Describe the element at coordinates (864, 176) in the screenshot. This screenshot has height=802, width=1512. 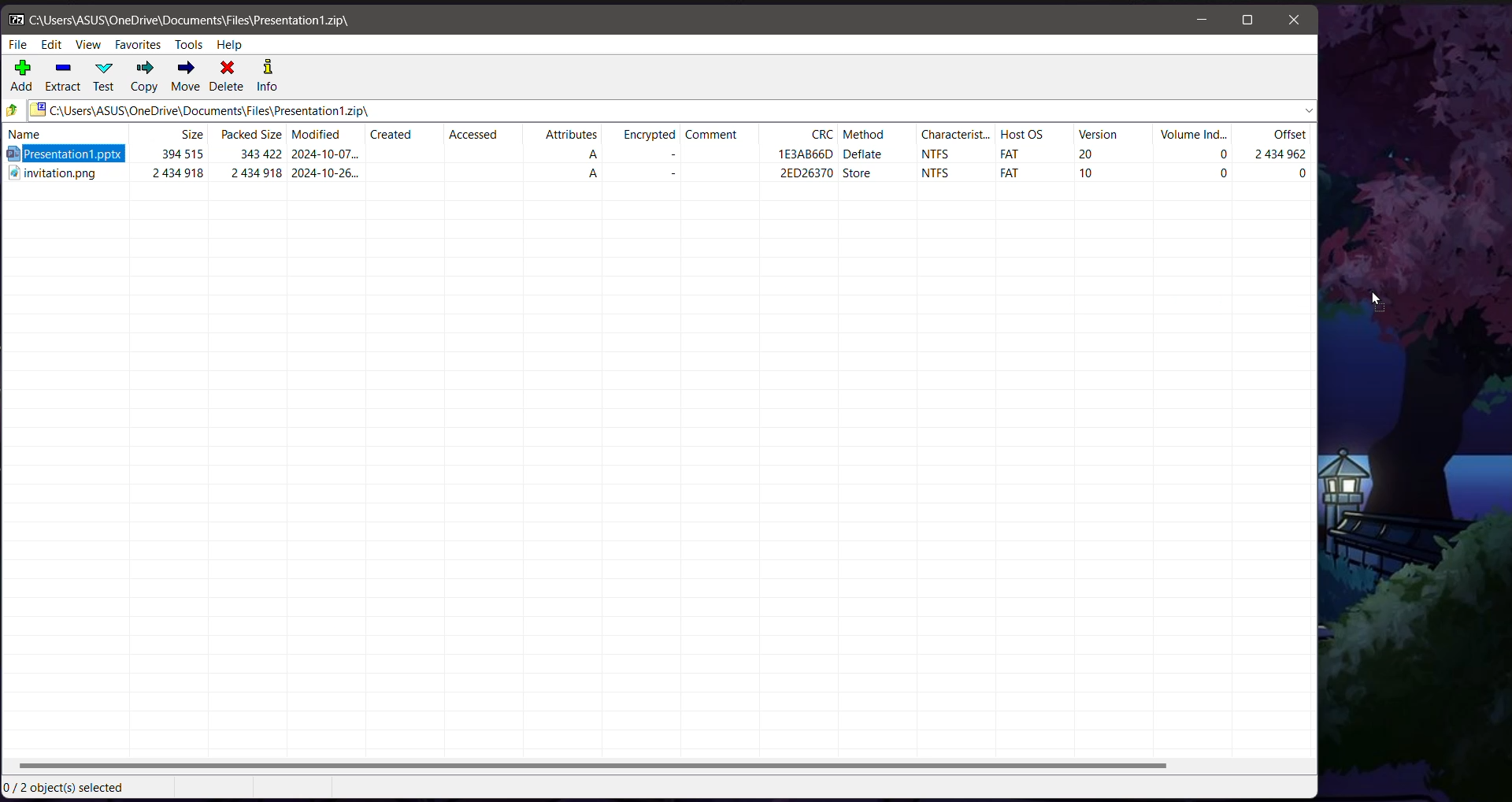
I see `store` at that location.